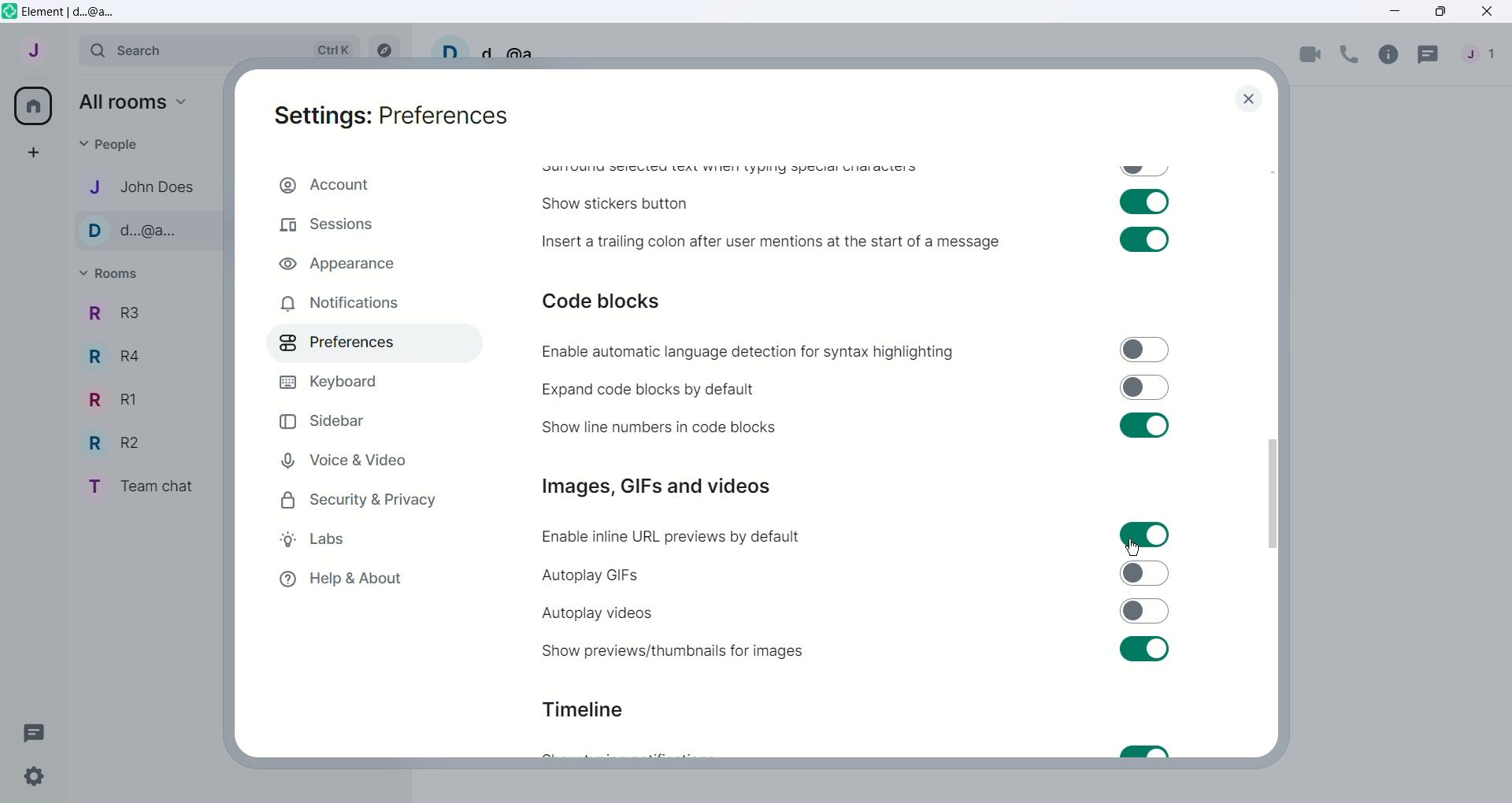  What do you see at coordinates (116, 399) in the screenshot?
I see `R1 - Room Name` at bounding box center [116, 399].